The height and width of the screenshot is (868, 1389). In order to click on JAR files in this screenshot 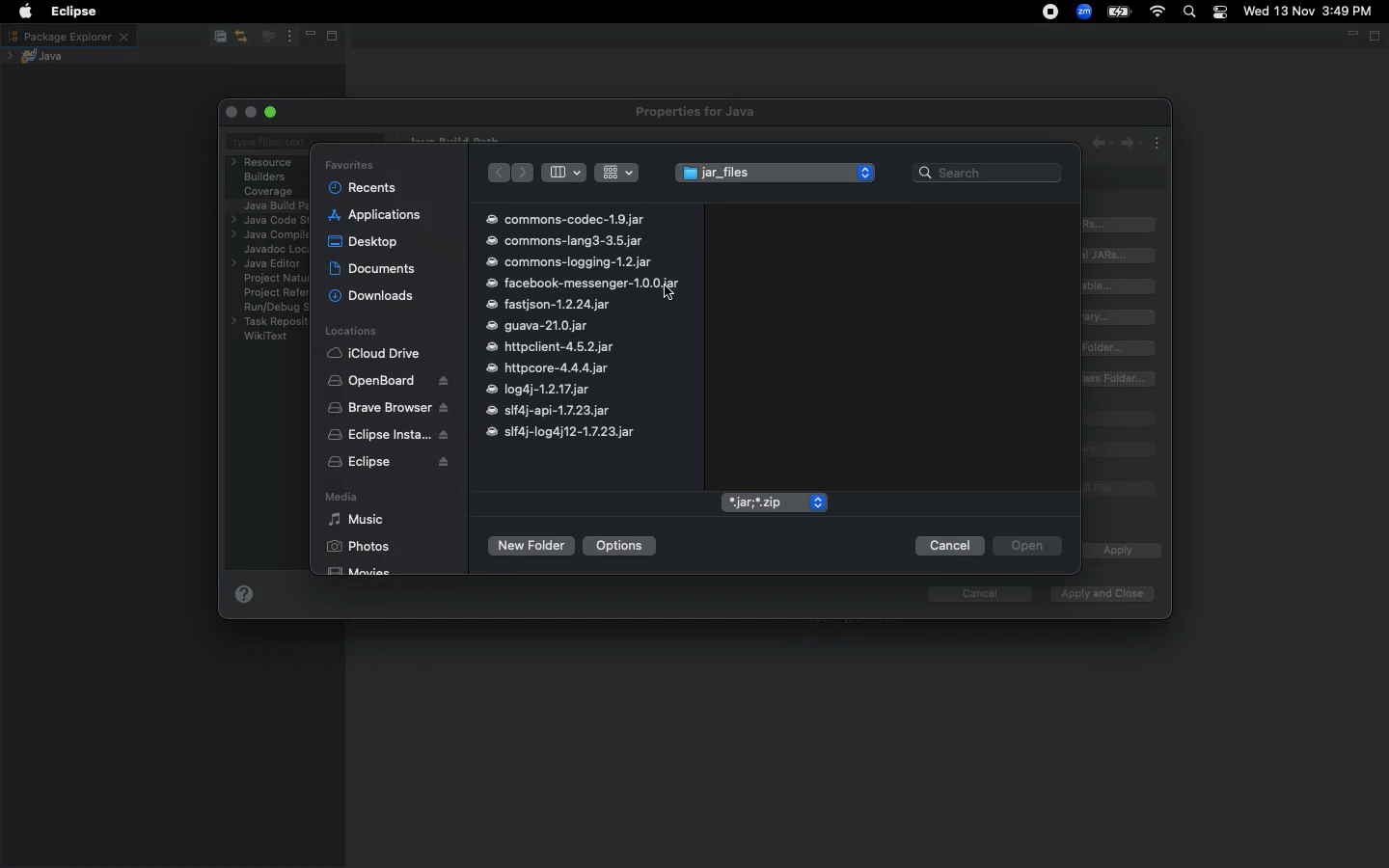, I will do `click(760, 176)`.